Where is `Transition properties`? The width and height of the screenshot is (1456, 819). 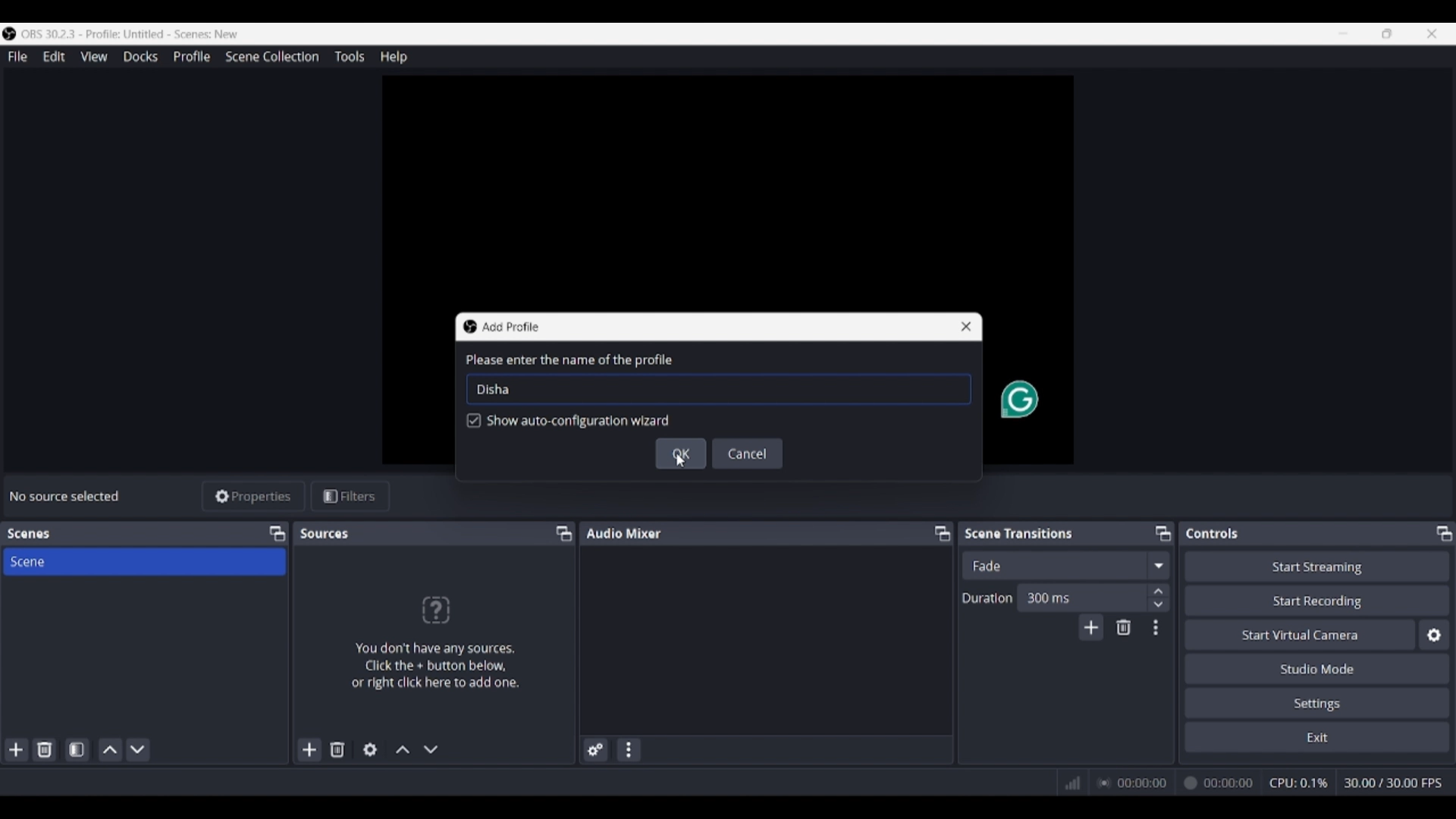 Transition properties is located at coordinates (1156, 628).